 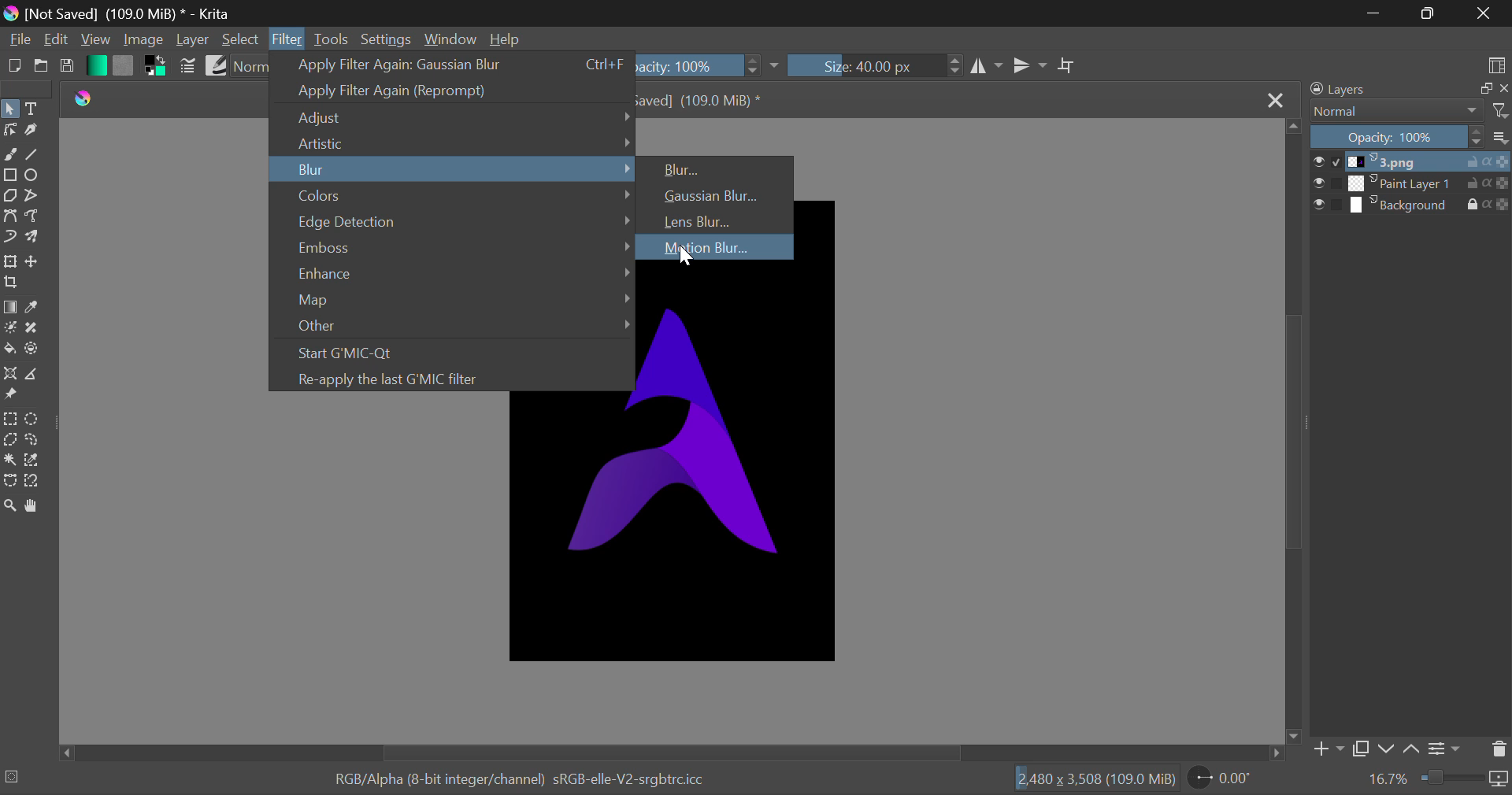 What do you see at coordinates (1361, 749) in the screenshot?
I see `Copy Layer` at bounding box center [1361, 749].